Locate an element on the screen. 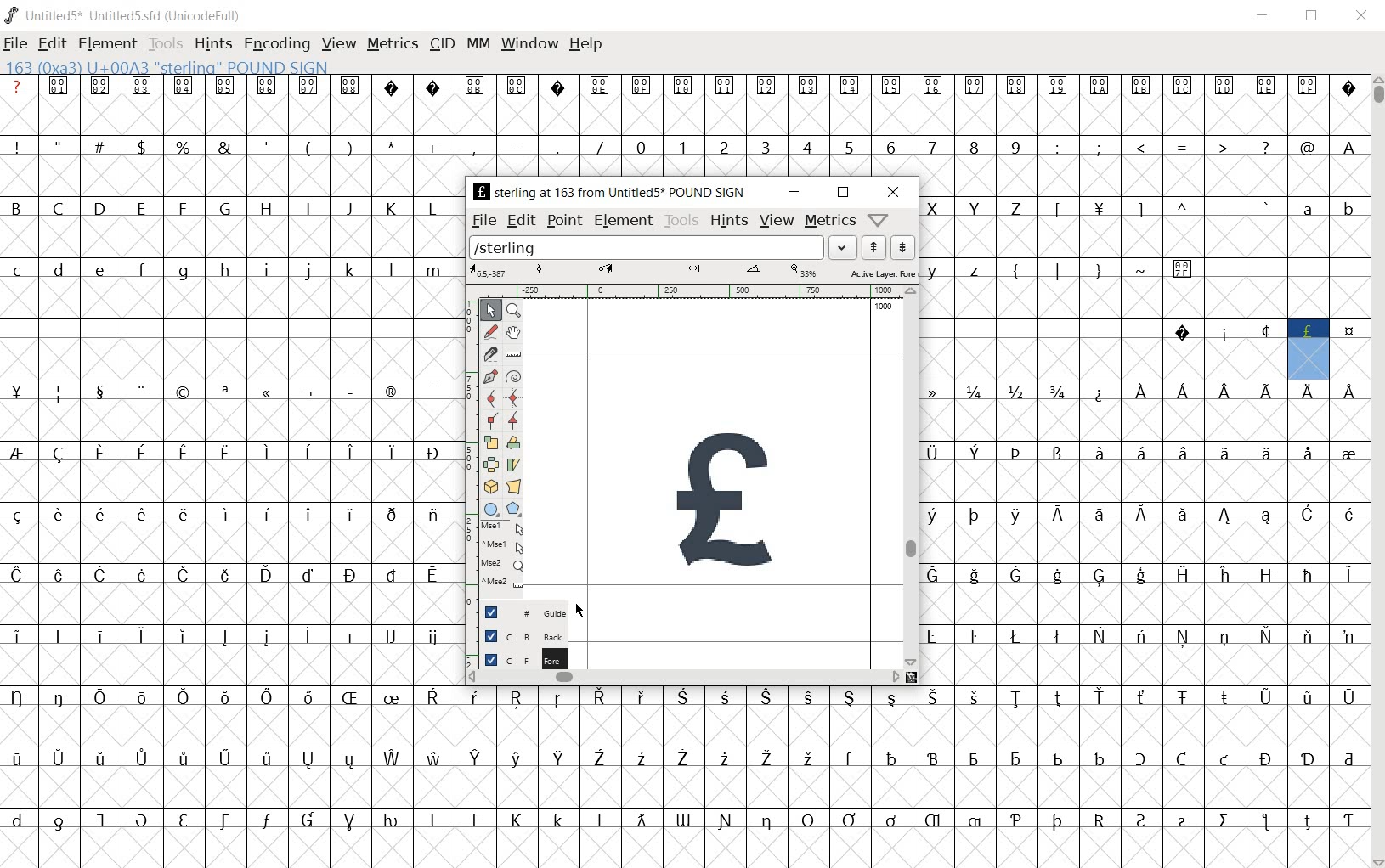 The image size is (1385, 868). show the previous word list is located at coordinates (875, 248).